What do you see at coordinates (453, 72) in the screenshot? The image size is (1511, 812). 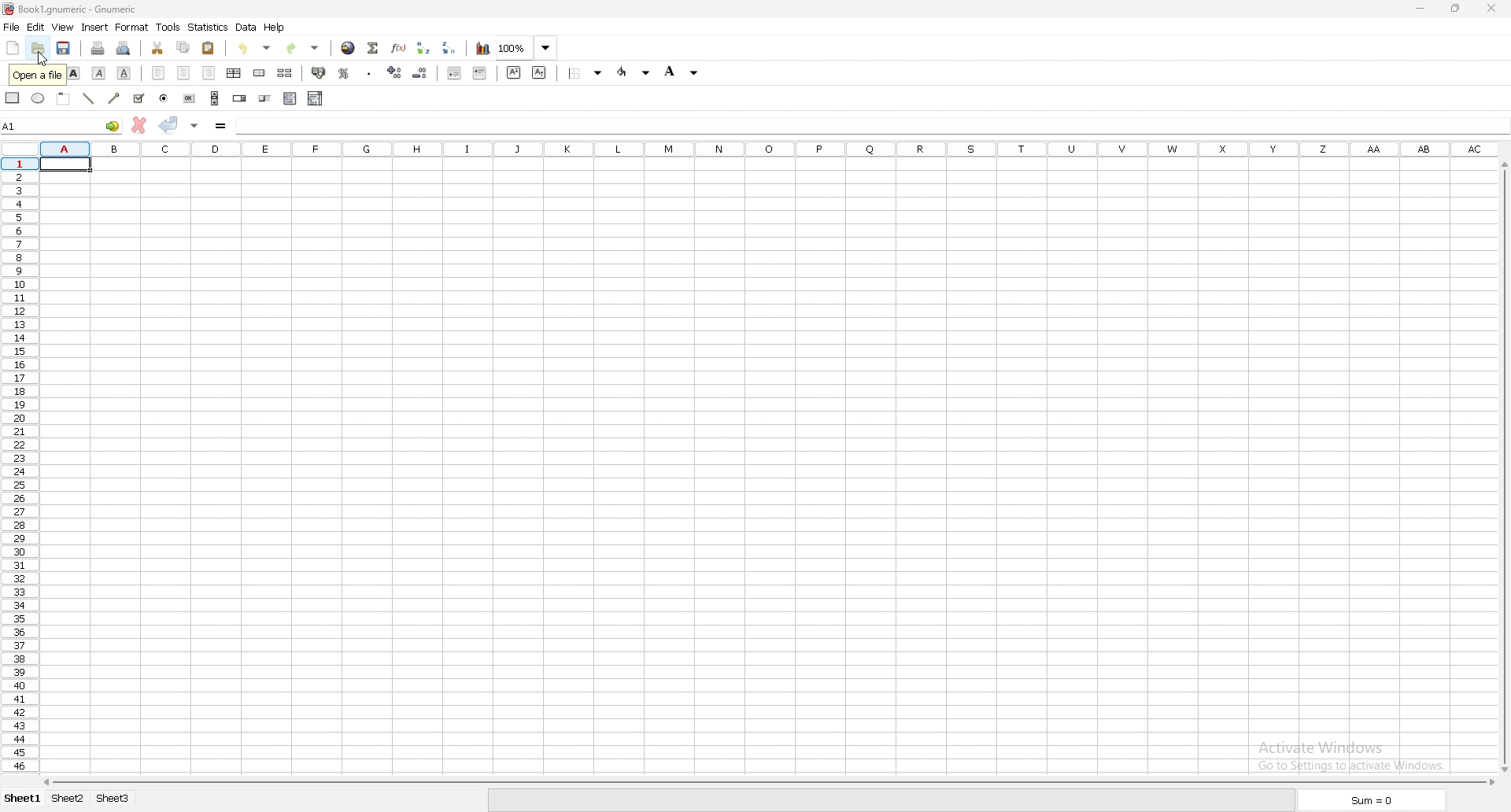 I see `decrease indent` at bounding box center [453, 72].